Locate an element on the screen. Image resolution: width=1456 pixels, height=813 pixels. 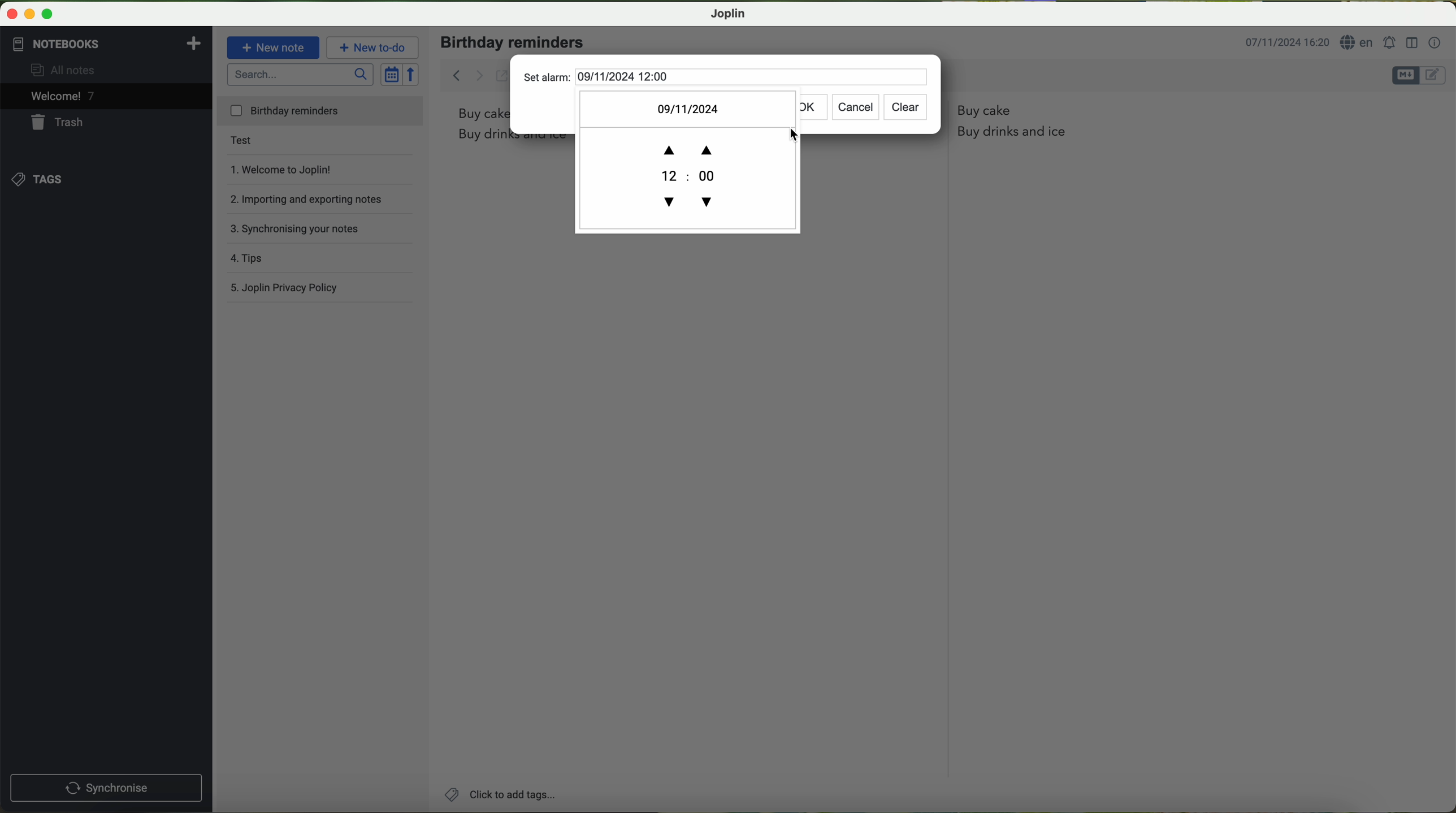
synchronising your notes is located at coordinates (304, 227).